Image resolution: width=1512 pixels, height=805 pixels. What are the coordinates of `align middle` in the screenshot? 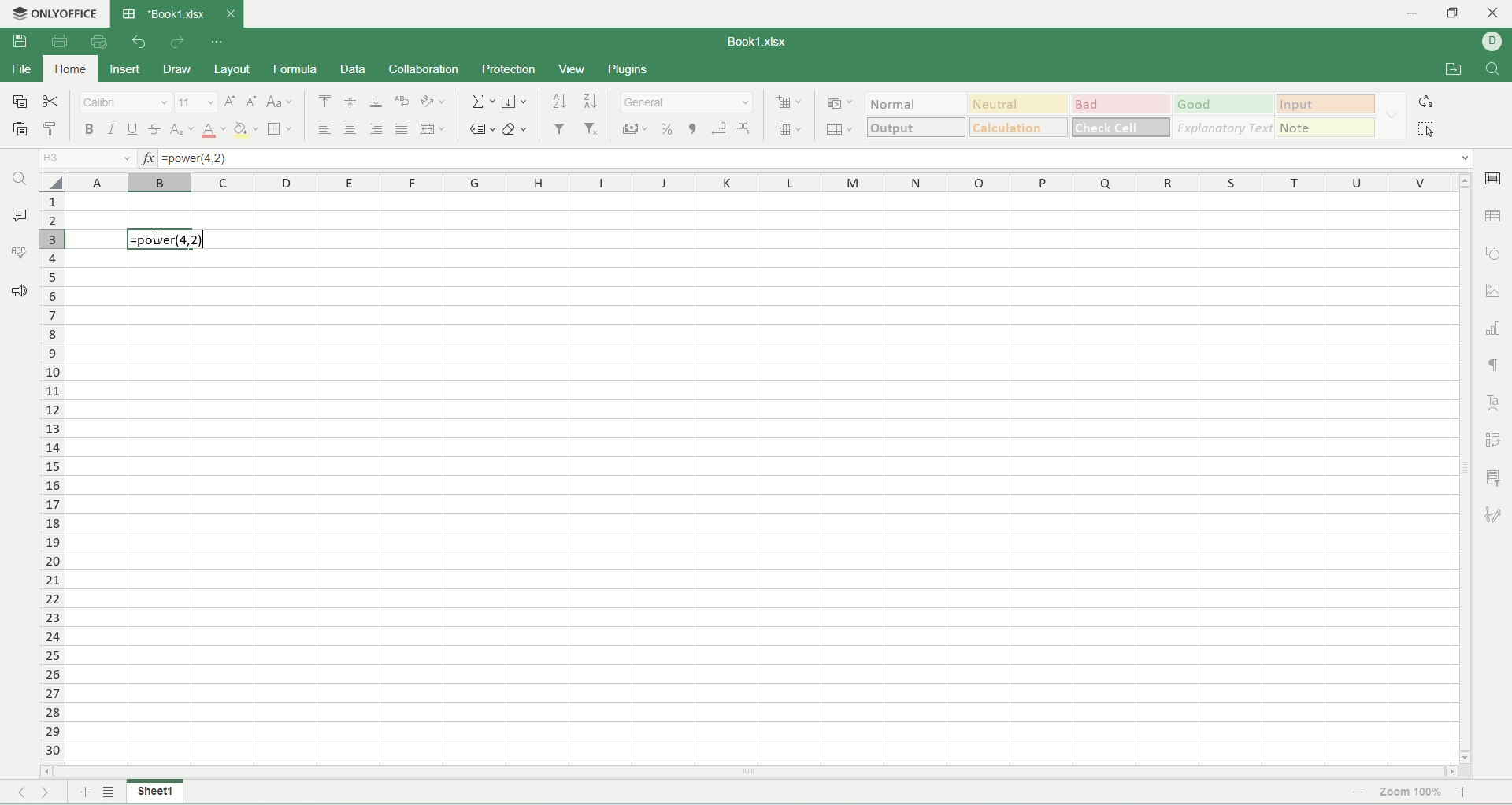 It's located at (350, 102).